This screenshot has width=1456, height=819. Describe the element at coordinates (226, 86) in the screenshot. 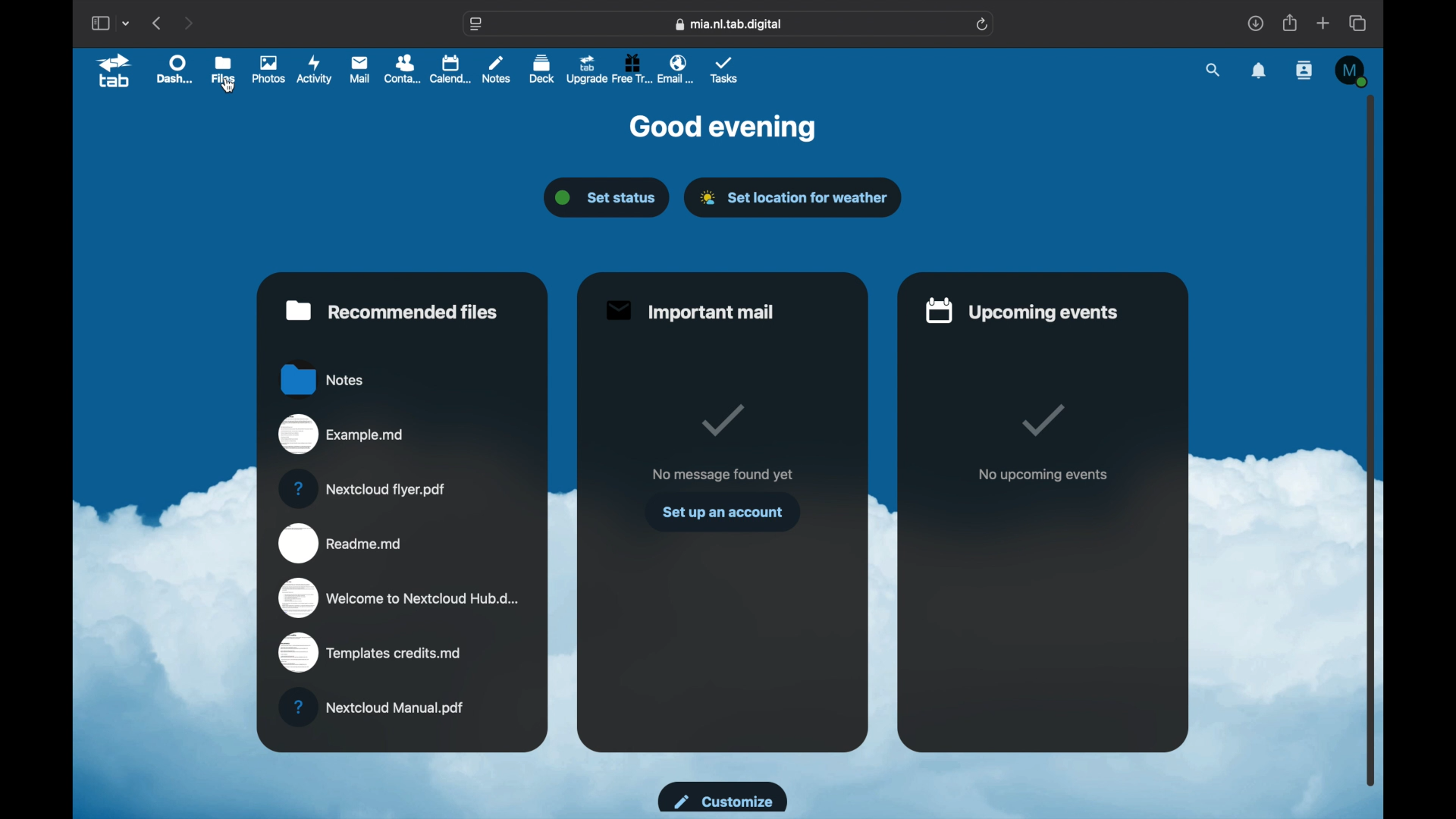

I see `cursor` at that location.